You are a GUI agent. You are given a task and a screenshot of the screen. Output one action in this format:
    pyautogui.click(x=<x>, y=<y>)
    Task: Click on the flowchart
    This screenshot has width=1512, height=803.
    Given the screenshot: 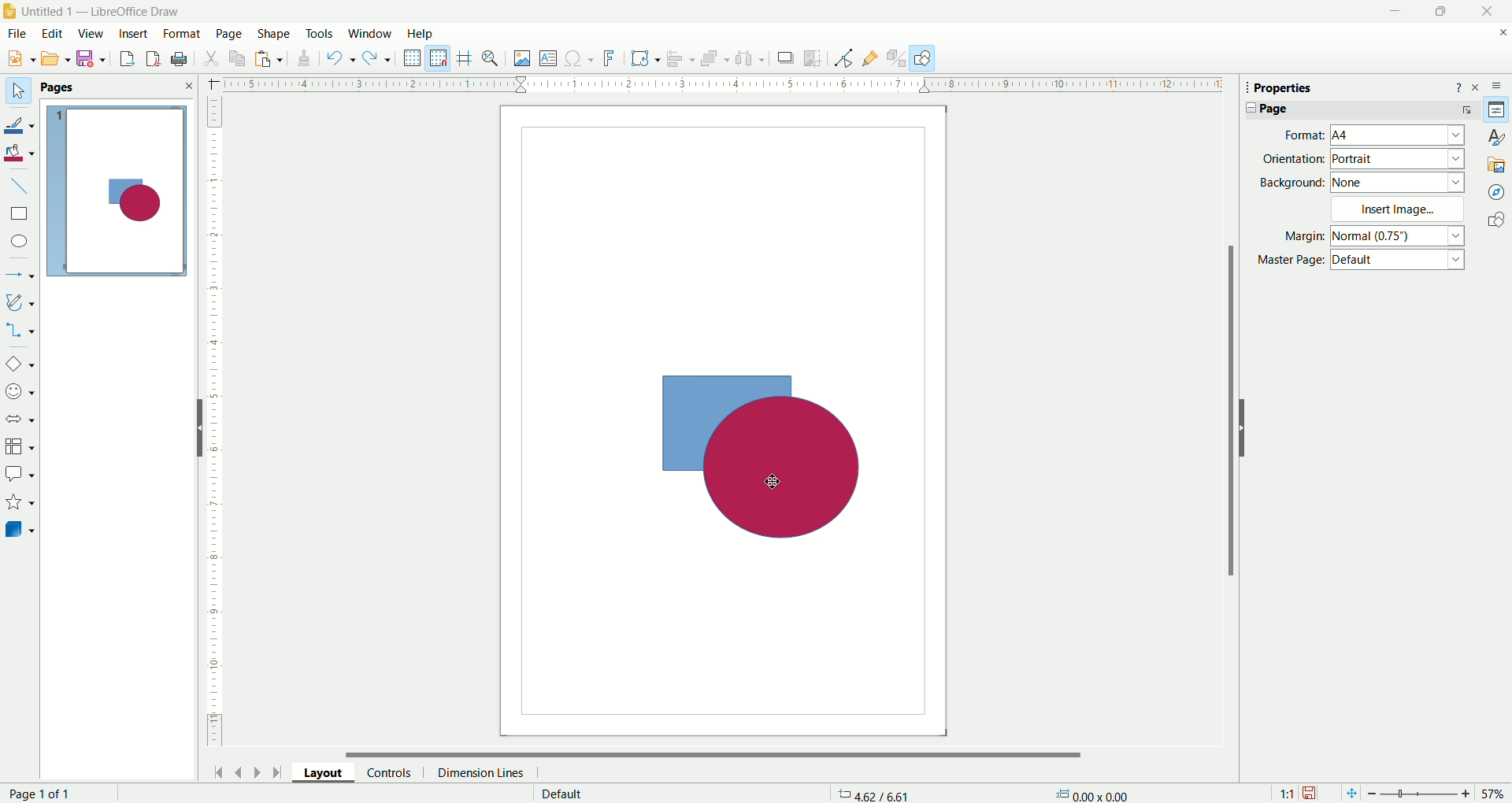 What is the action you would take?
    pyautogui.click(x=20, y=446)
    